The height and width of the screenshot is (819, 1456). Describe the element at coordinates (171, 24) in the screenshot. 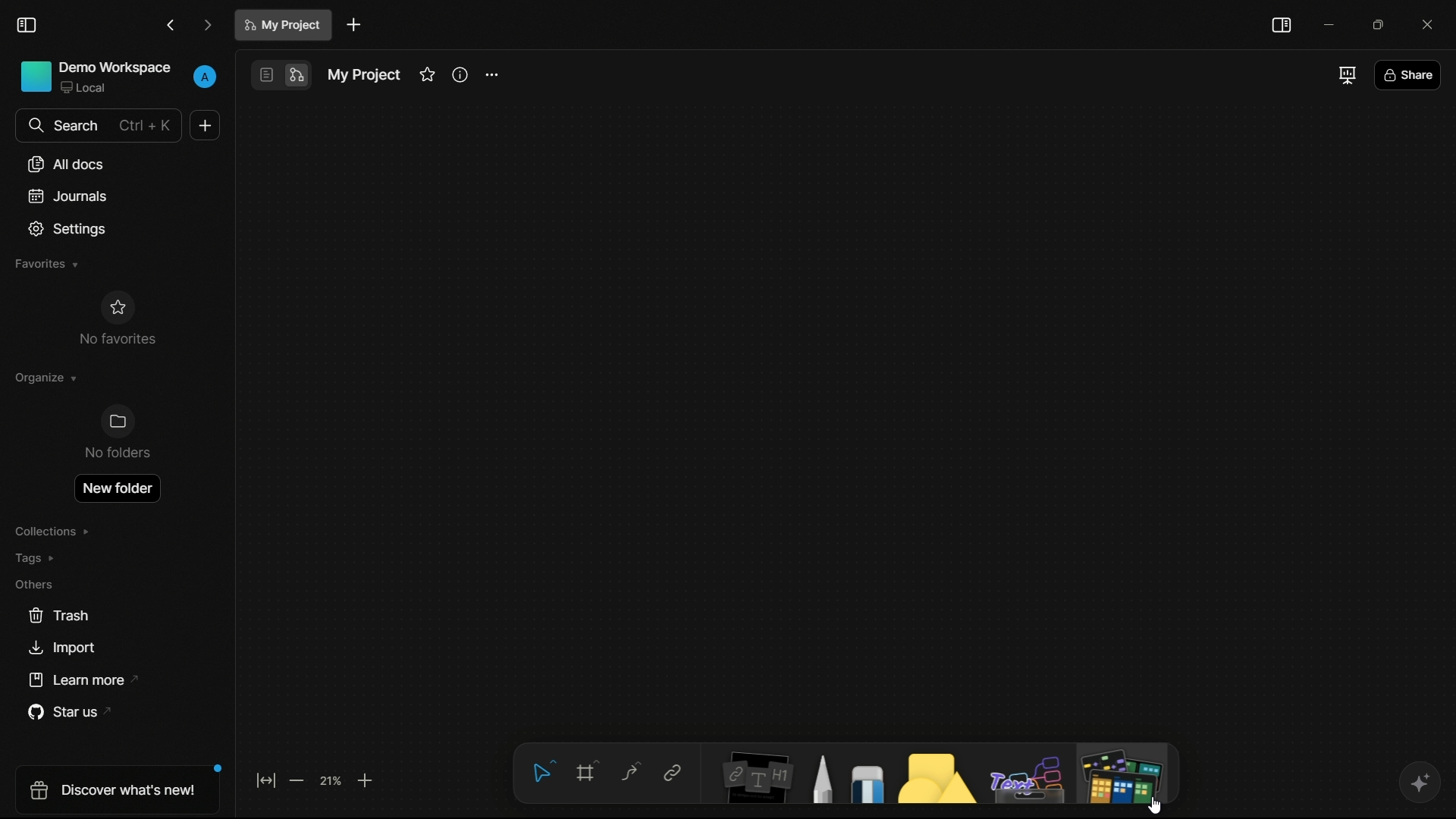

I see `back` at that location.